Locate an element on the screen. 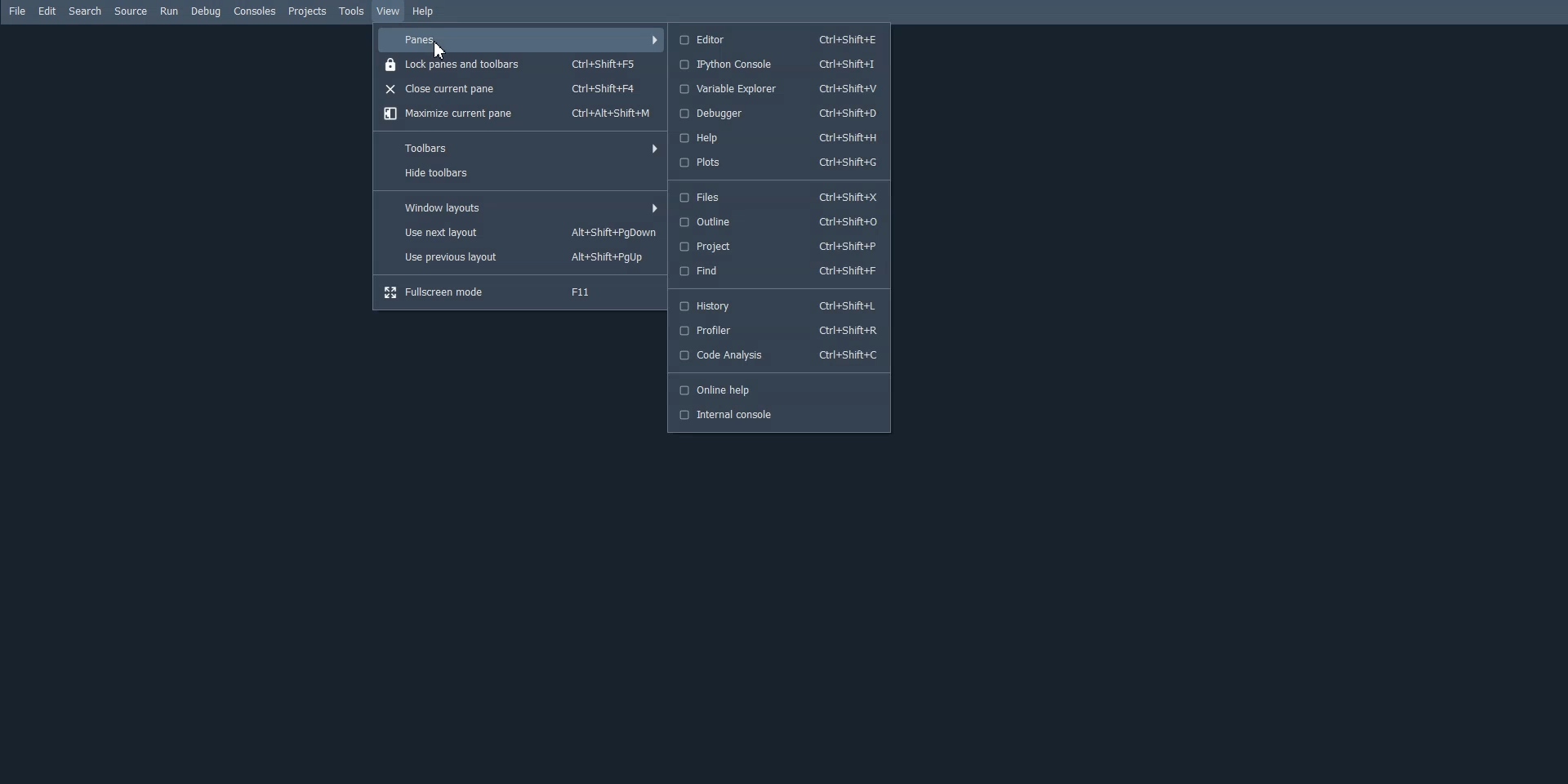  Fullscreen mode is located at coordinates (521, 292).